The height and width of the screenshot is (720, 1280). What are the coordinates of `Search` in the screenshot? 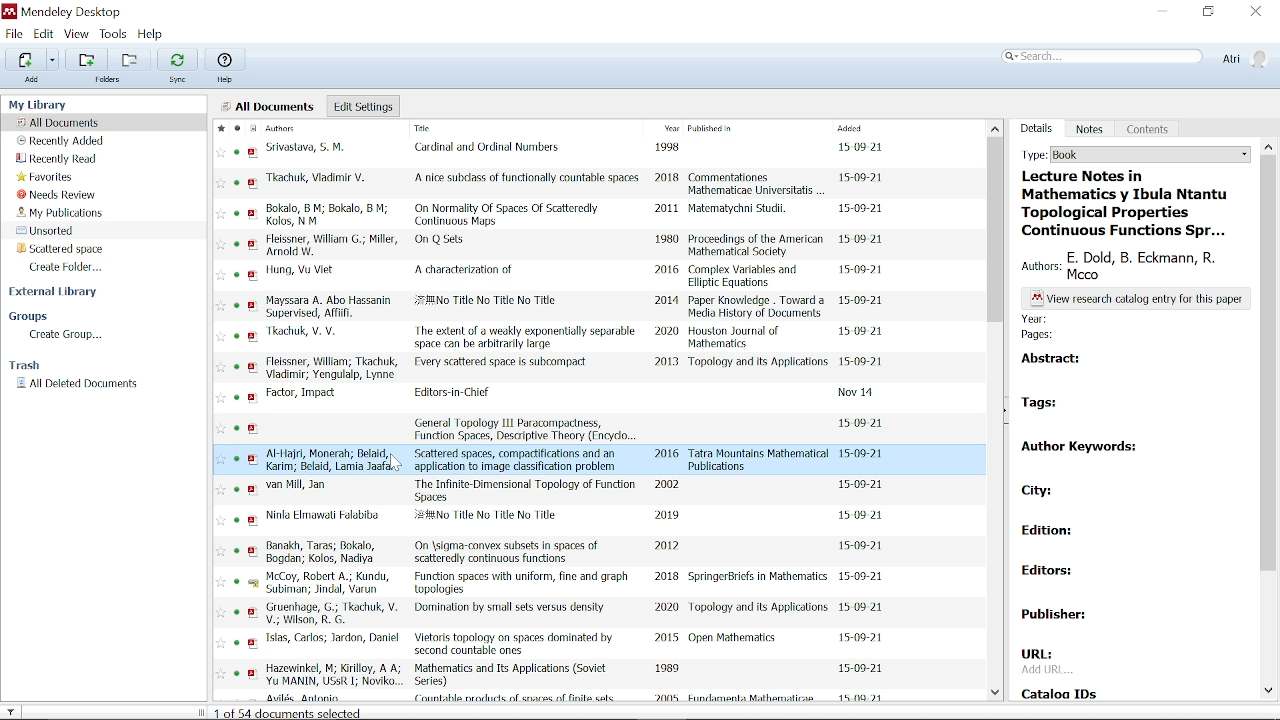 It's located at (1102, 57).